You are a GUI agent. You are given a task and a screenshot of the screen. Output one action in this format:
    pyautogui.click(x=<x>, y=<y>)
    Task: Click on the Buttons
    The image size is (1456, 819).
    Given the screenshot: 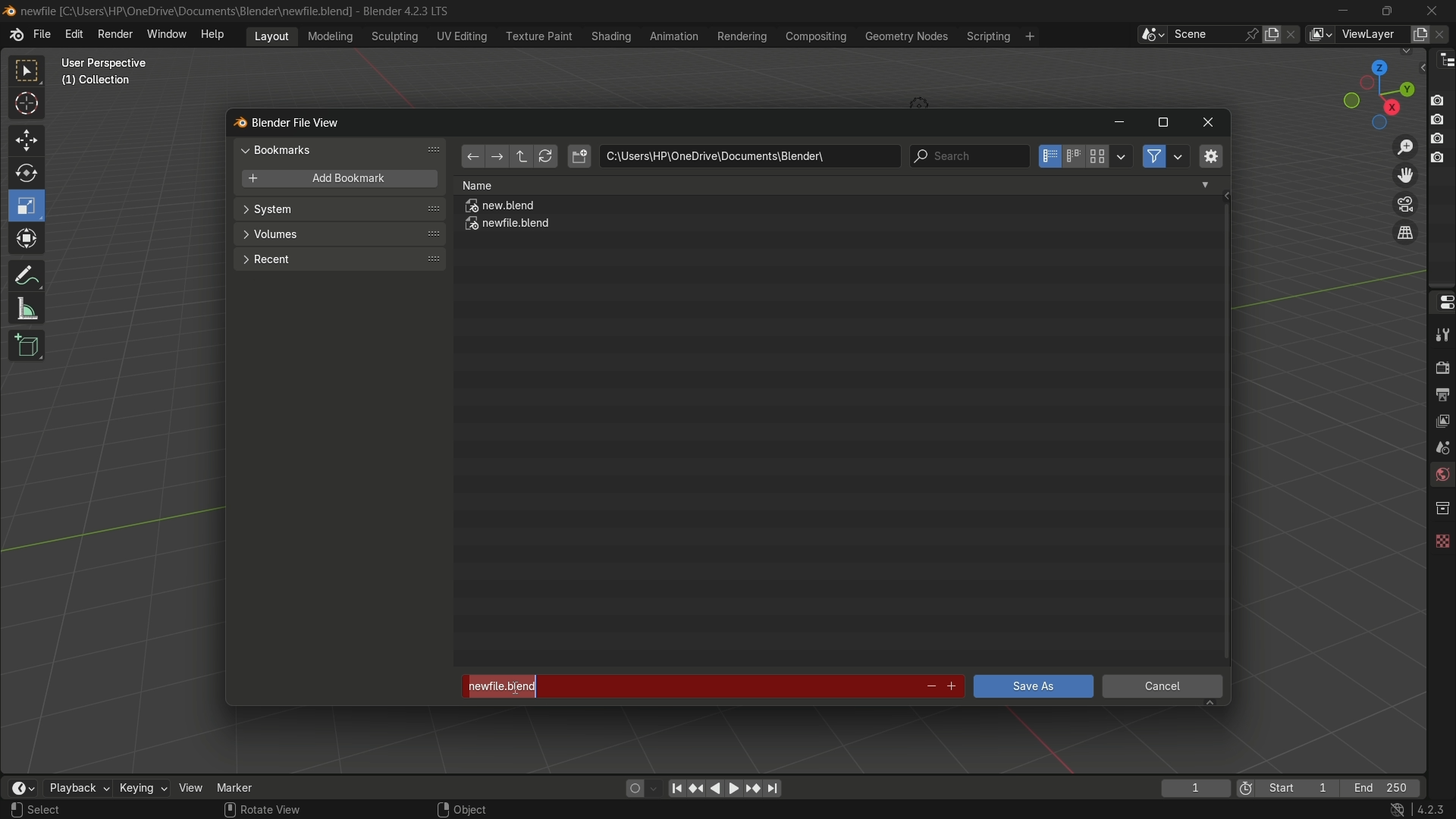 What is the action you would take?
    pyautogui.click(x=1443, y=127)
    